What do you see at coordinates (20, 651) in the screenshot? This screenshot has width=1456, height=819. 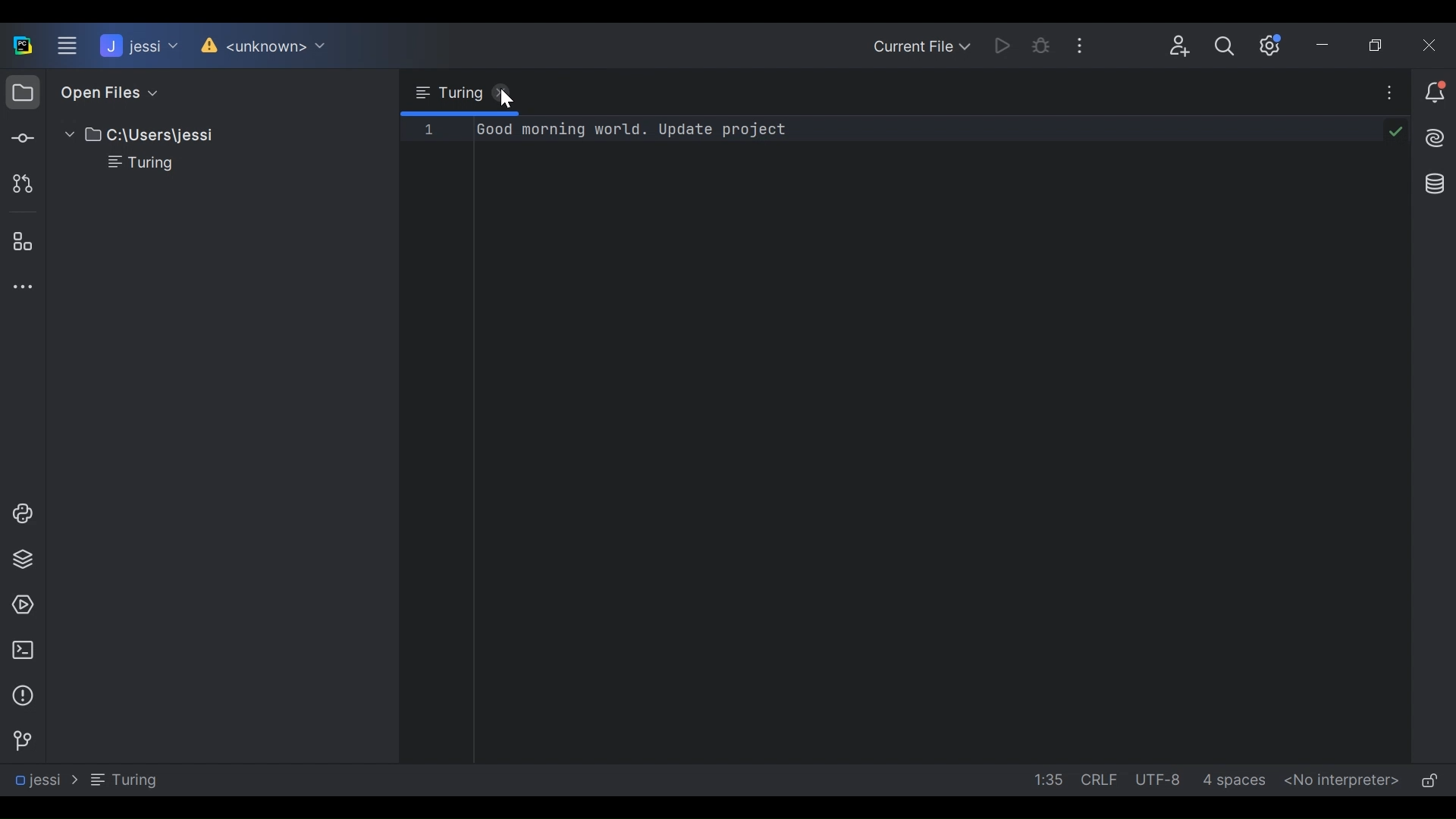 I see `Terminal` at bounding box center [20, 651].